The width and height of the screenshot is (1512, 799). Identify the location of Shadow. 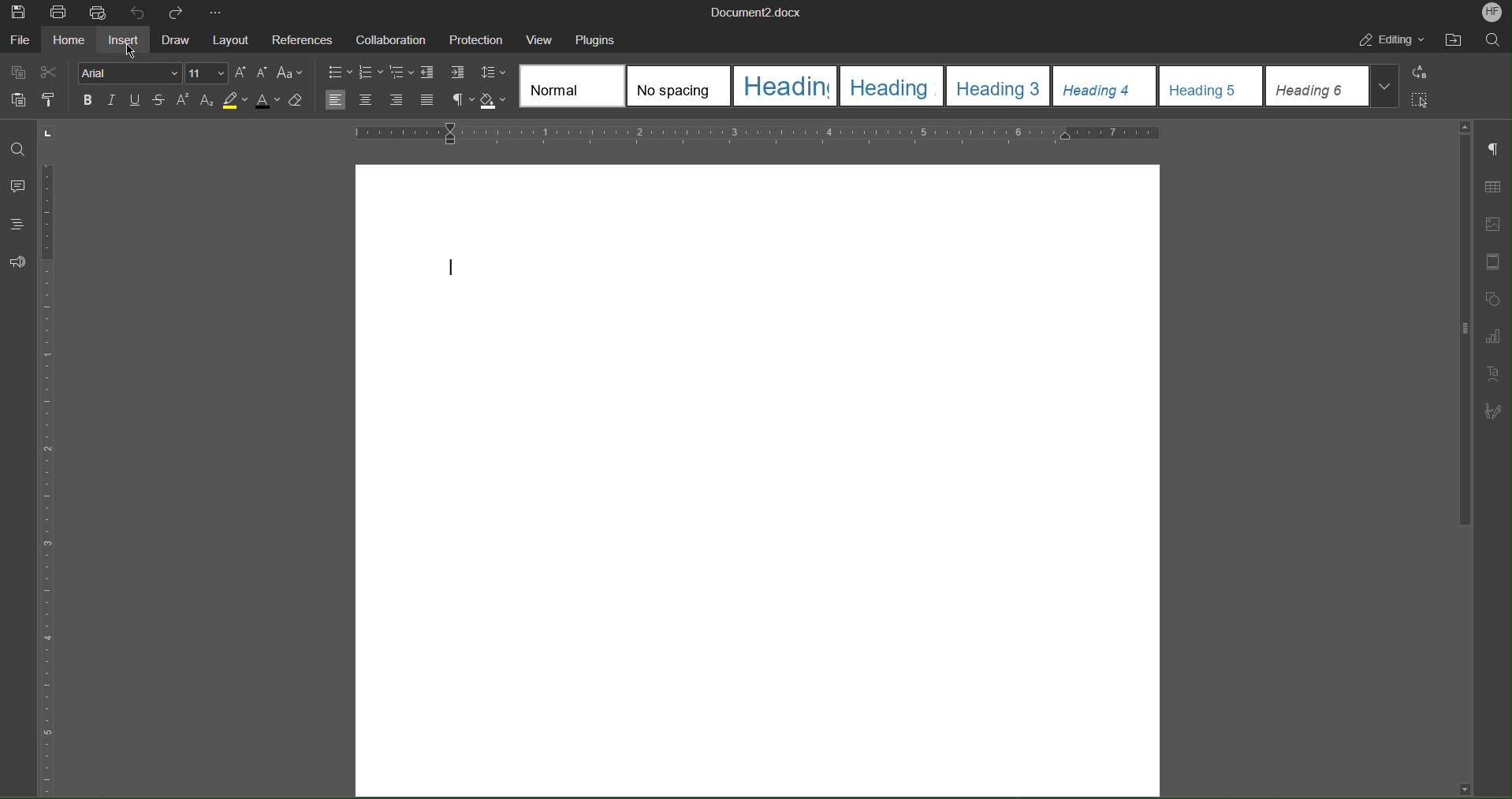
(492, 99).